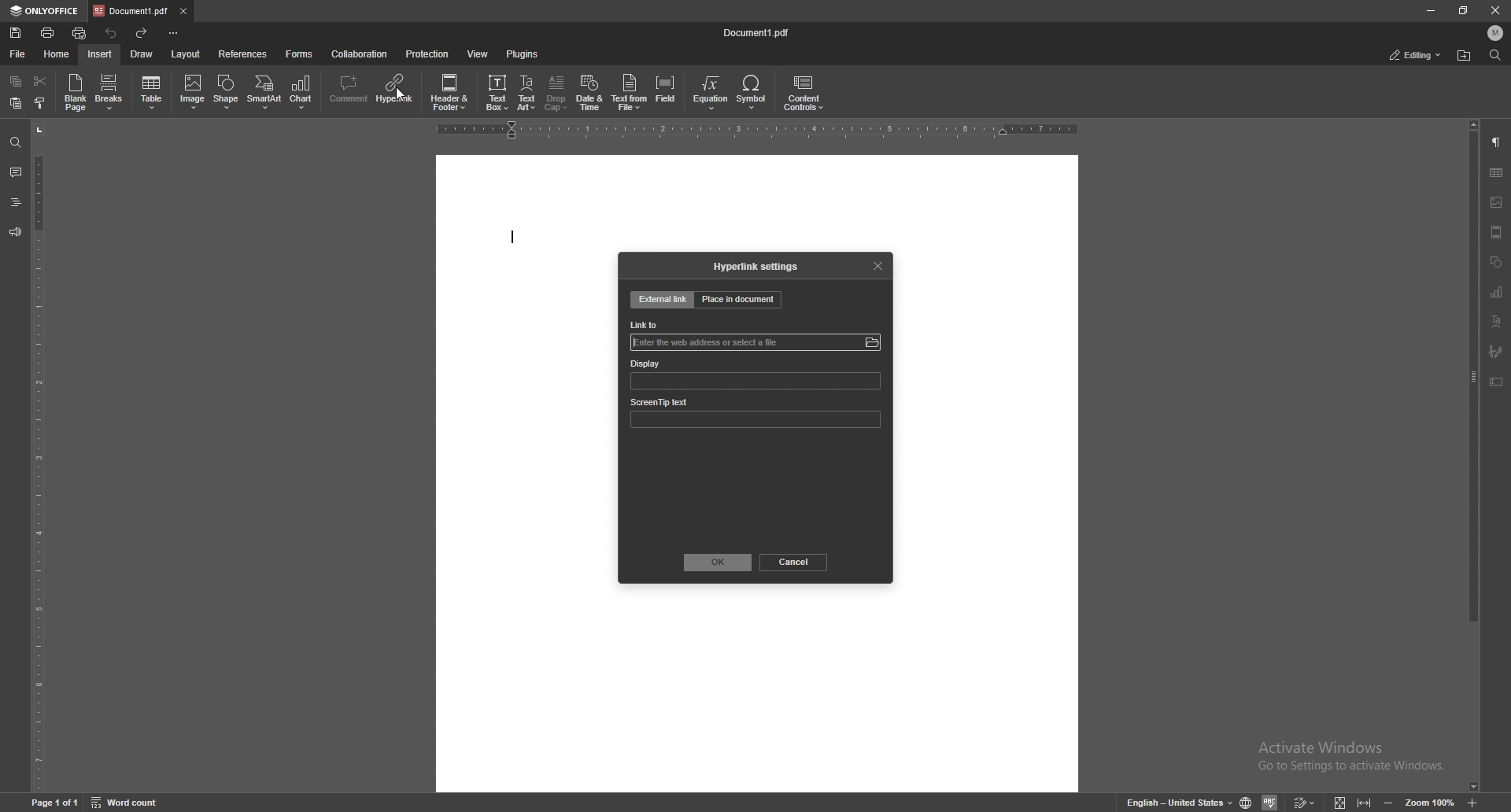 The image size is (1511, 812). I want to click on find location, so click(1464, 56).